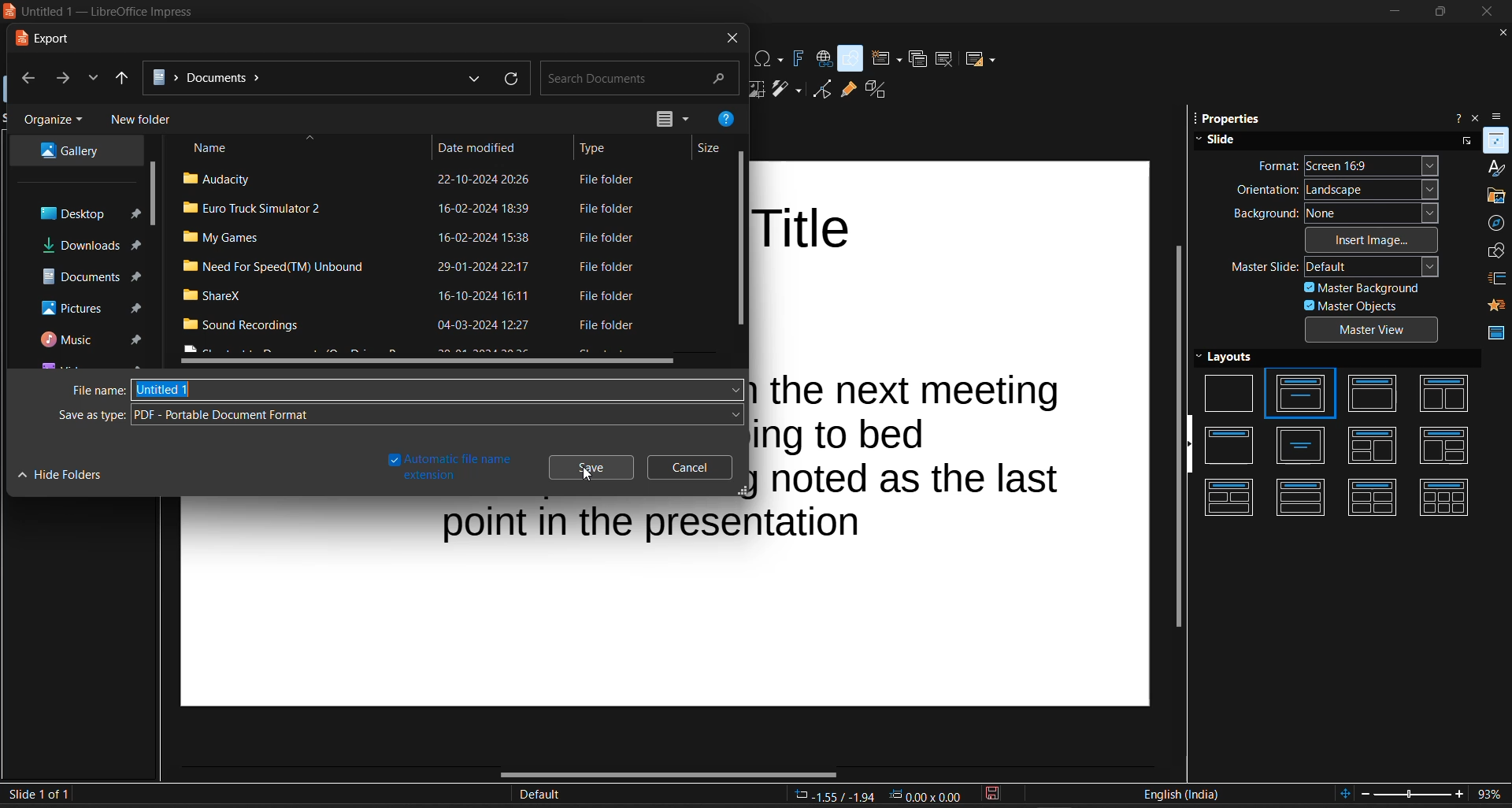  What do you see at coordinates (1348, 164) in the screenshot?
I see `format` at bounding box center [1348, 164].